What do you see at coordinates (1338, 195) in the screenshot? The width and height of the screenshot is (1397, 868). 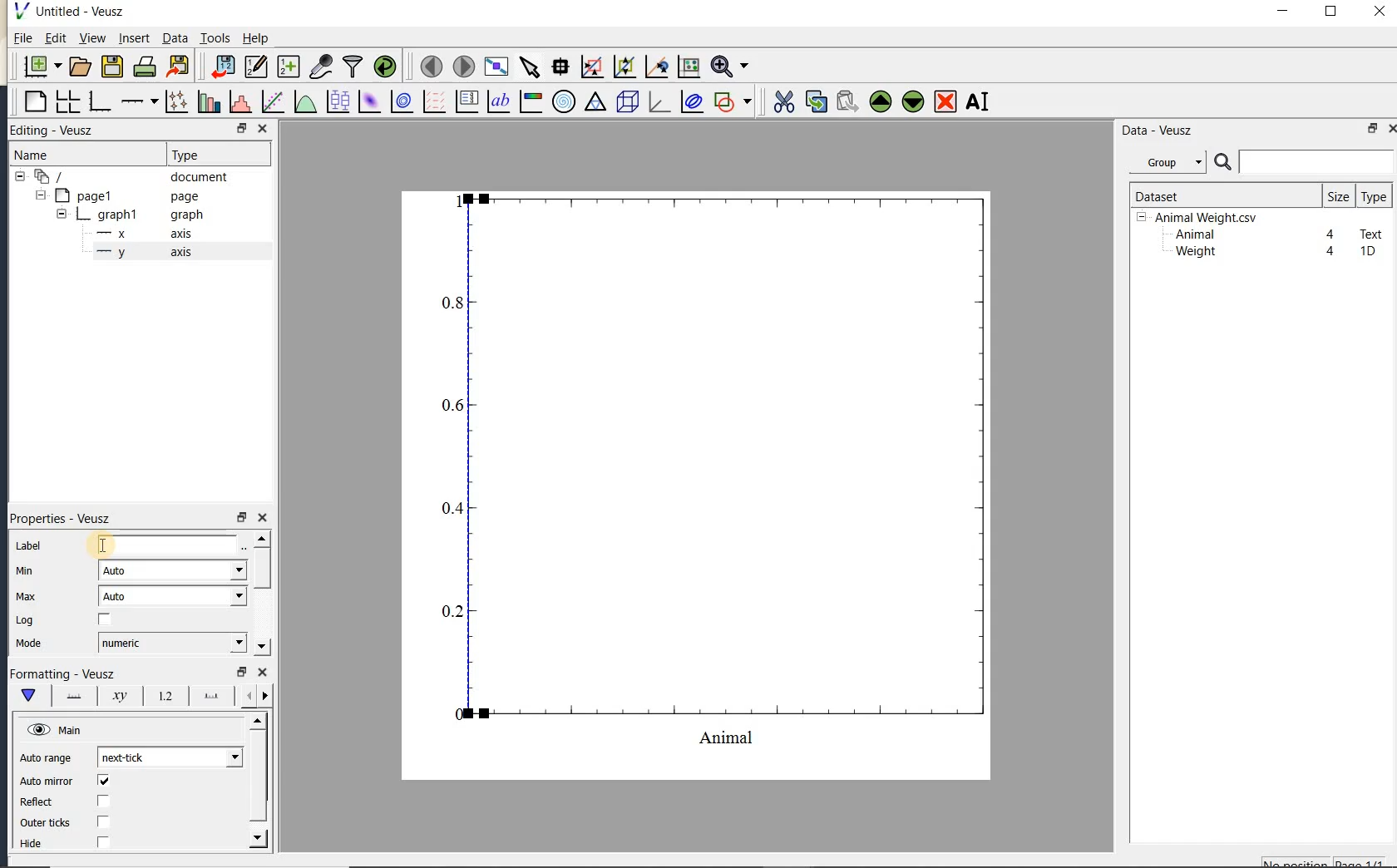 I see `size` at bounding box center [1338, 195].